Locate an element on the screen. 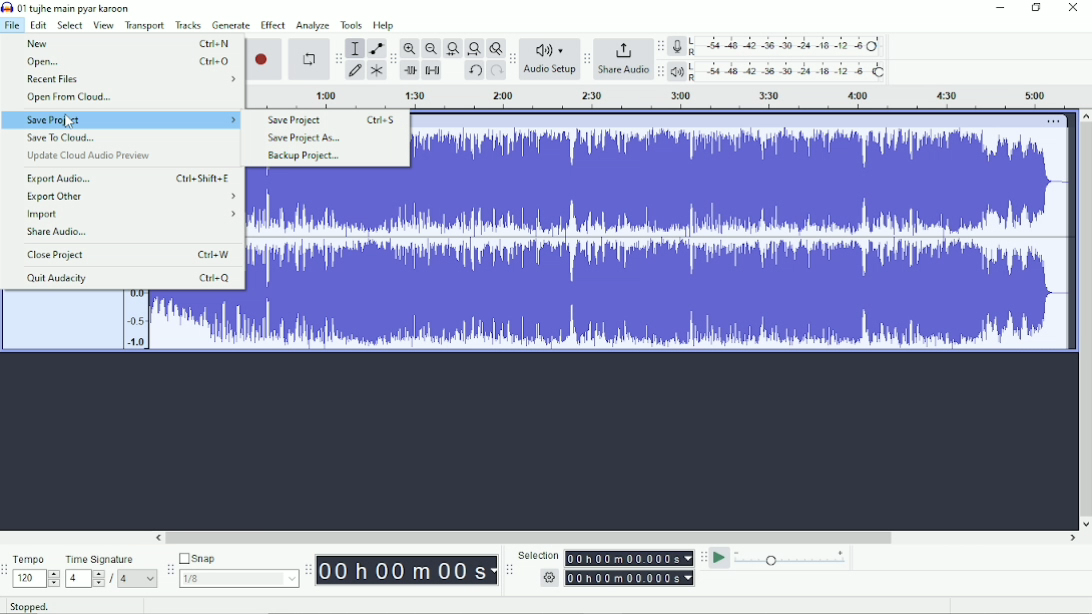 The height and width of the screenshot is (614, 1092). Playback speed is located at coordinates (792, 558).